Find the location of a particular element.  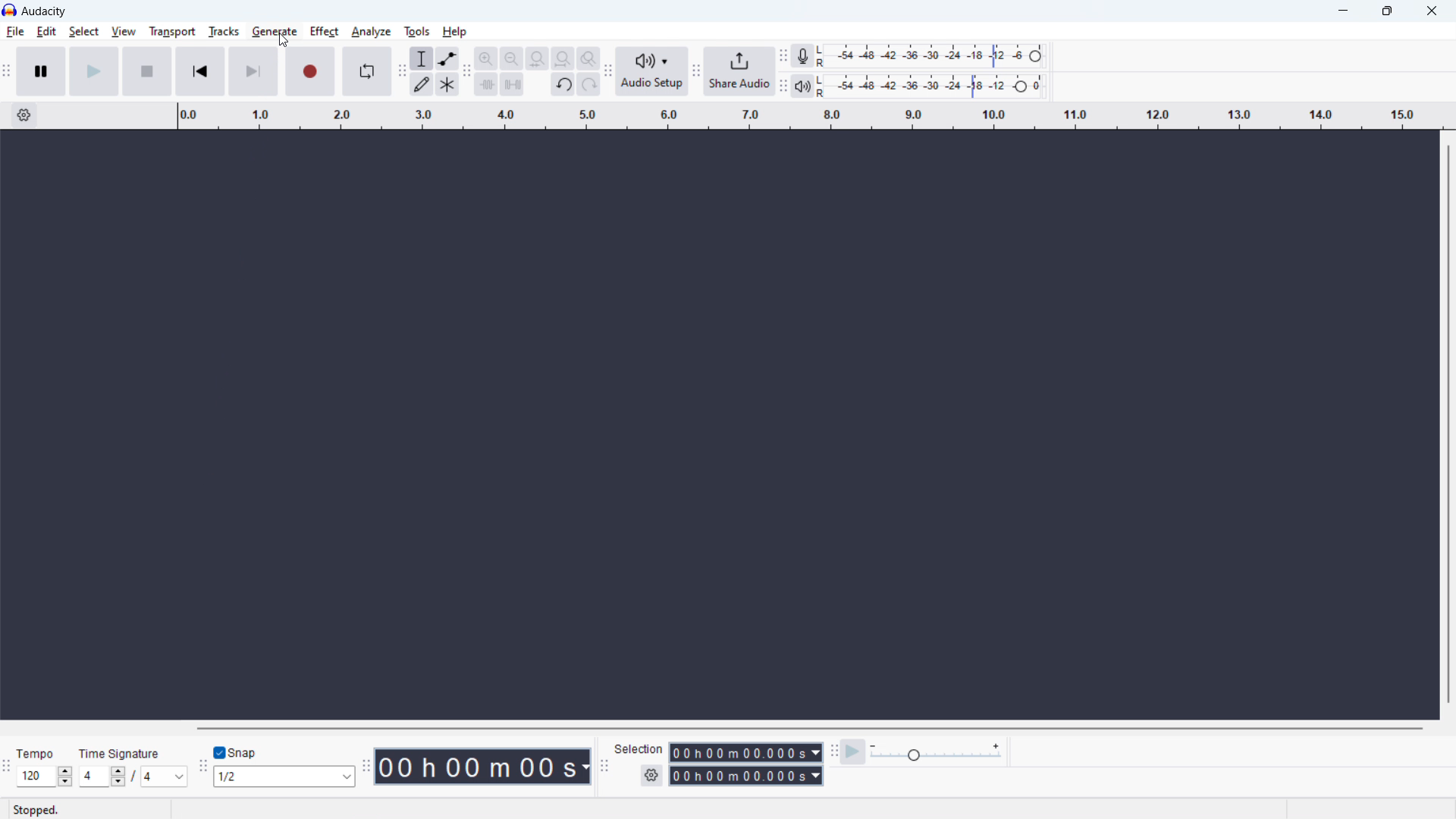

 is located at coordinates (801, 55).